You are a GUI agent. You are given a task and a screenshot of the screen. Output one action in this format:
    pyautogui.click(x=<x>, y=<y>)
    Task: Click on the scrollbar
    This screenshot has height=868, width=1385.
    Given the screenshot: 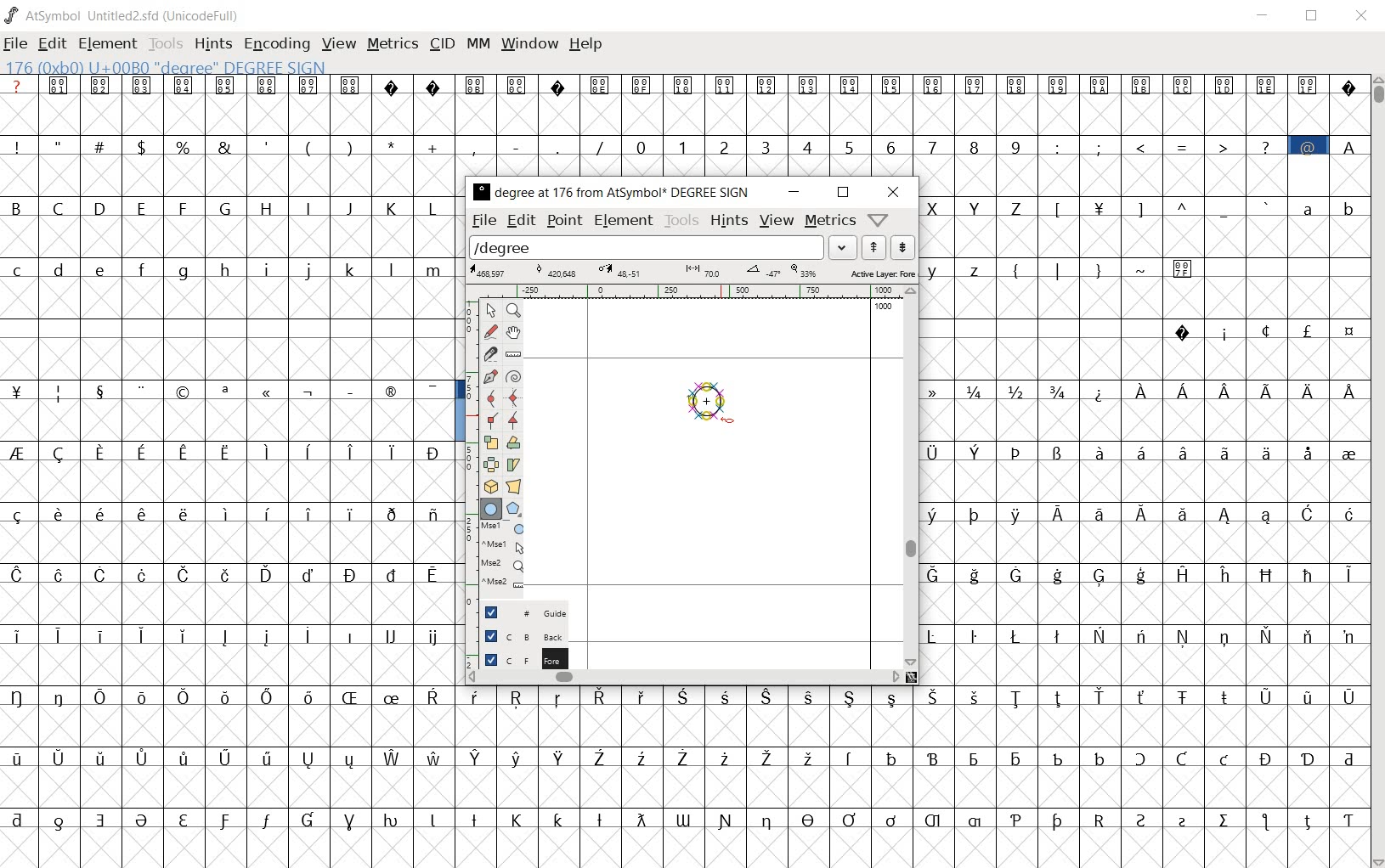 What is the action you would take?
    pyautogui.click(x=909, y=477)
    